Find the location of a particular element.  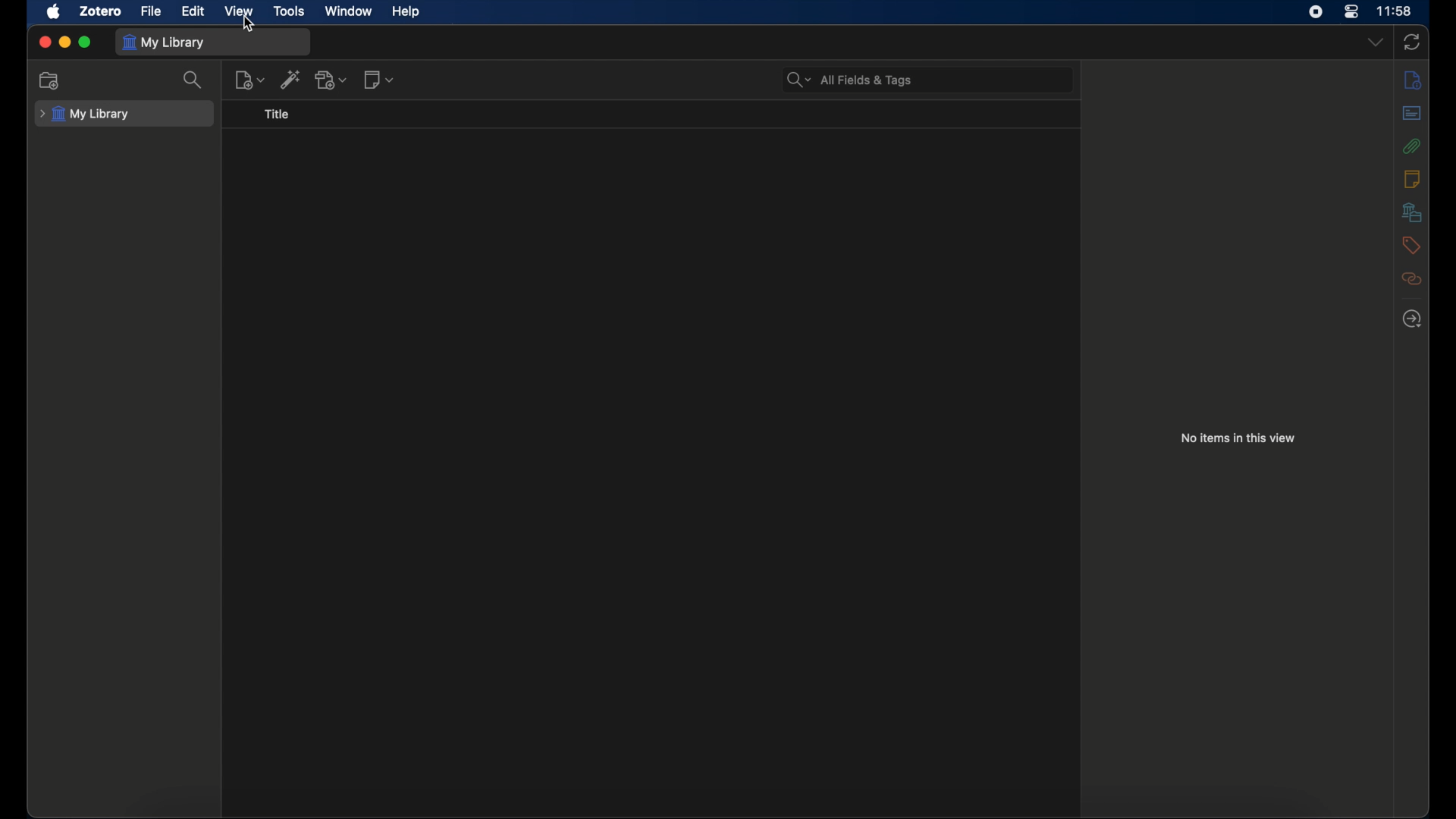

maximize is located at coordinates (85, 42).